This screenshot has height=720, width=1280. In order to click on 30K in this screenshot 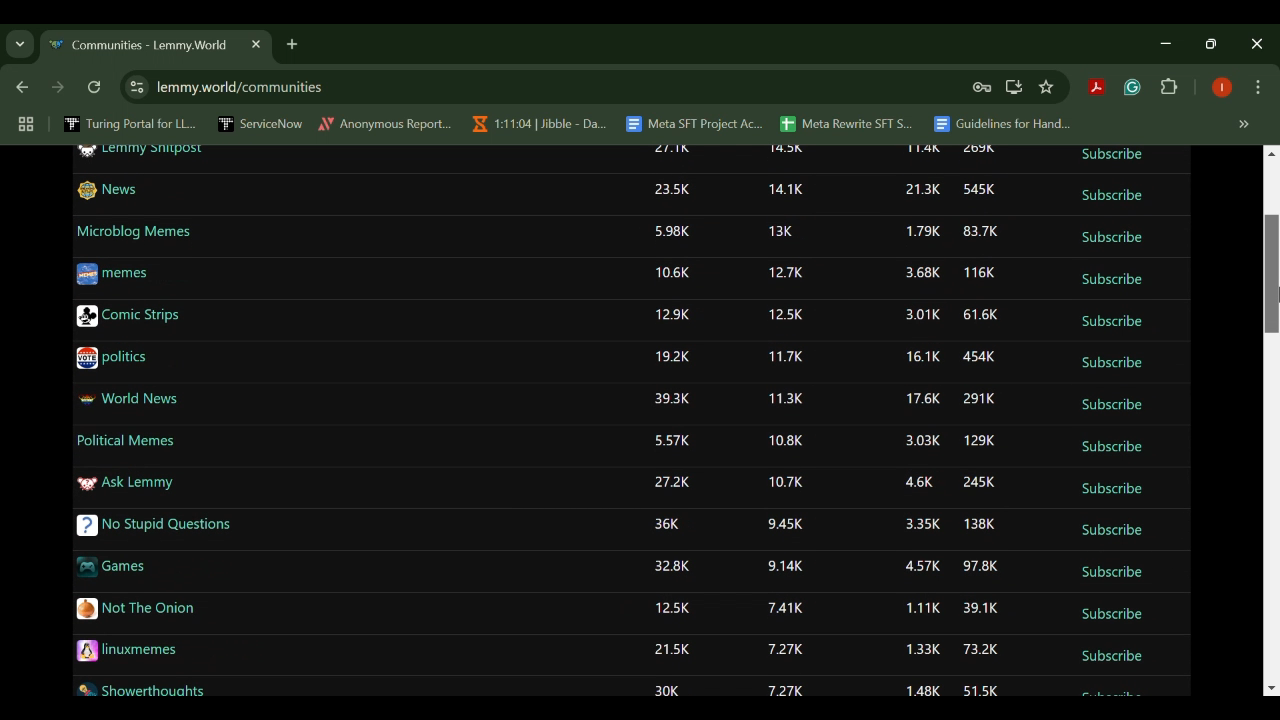, I will do `click(667, 691)`.